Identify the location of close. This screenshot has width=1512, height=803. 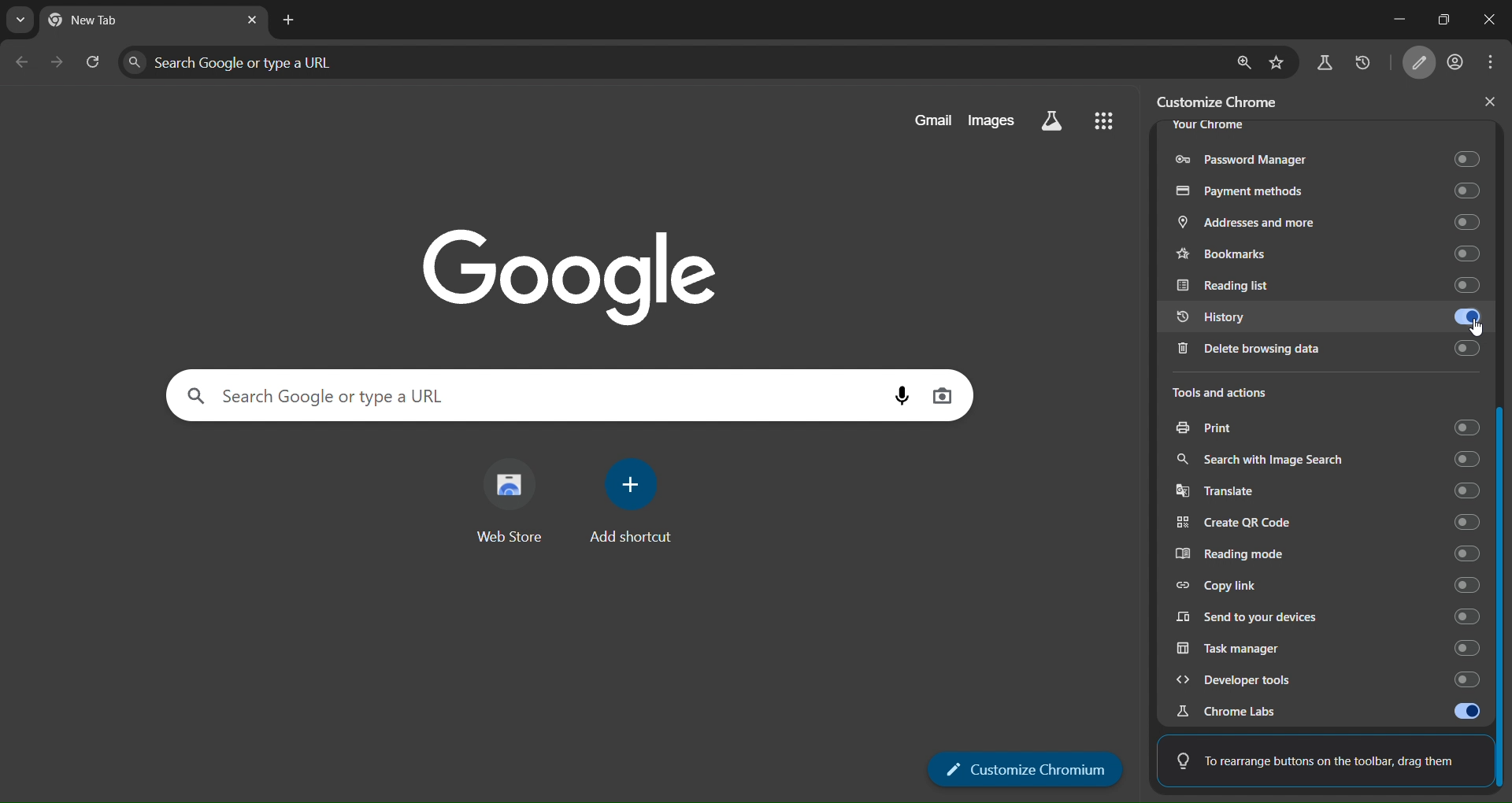
(1483, 20).